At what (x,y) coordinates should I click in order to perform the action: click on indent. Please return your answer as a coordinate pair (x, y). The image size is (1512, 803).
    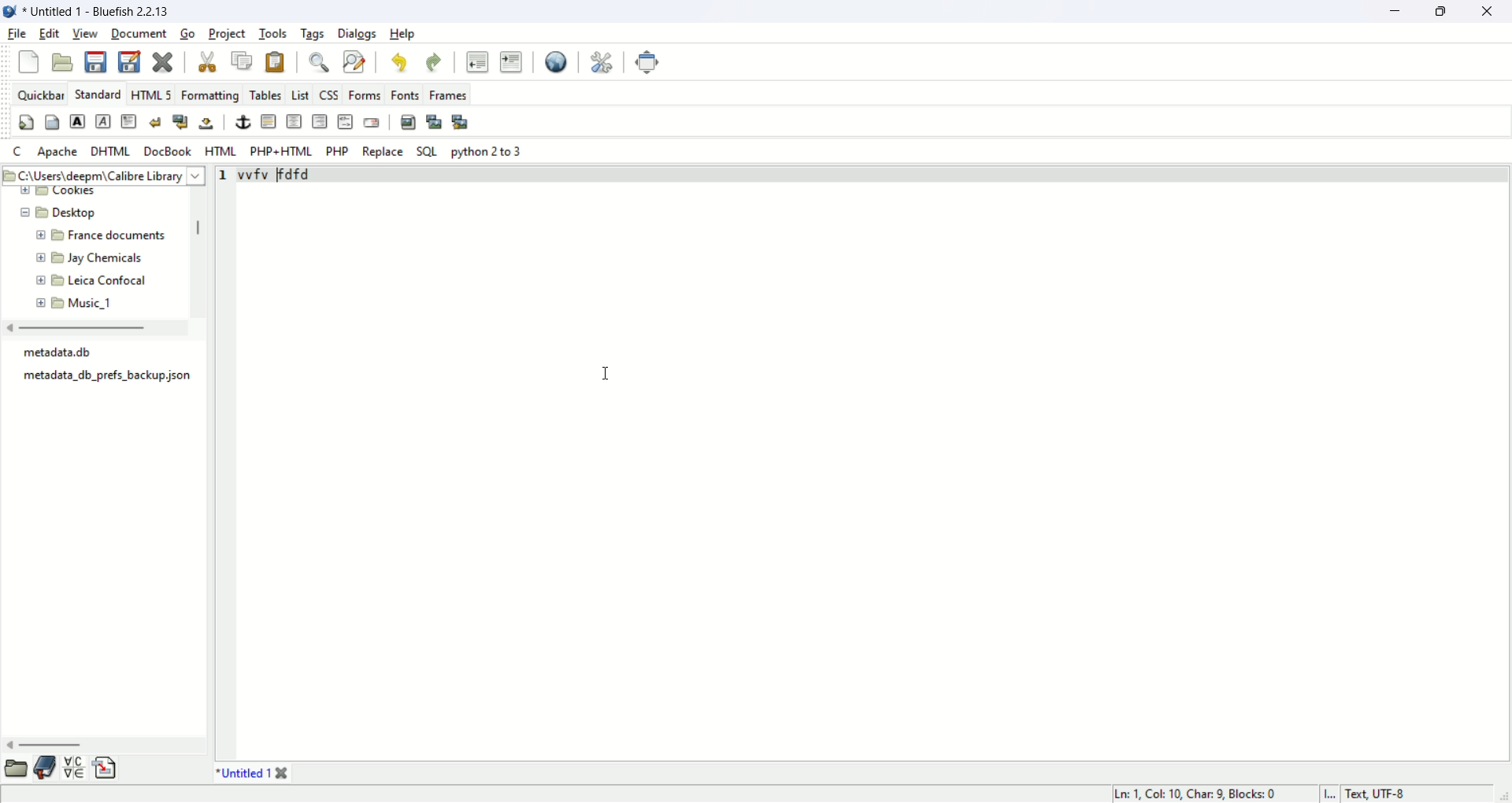
    Looking at the image, I should click on (513, 63).